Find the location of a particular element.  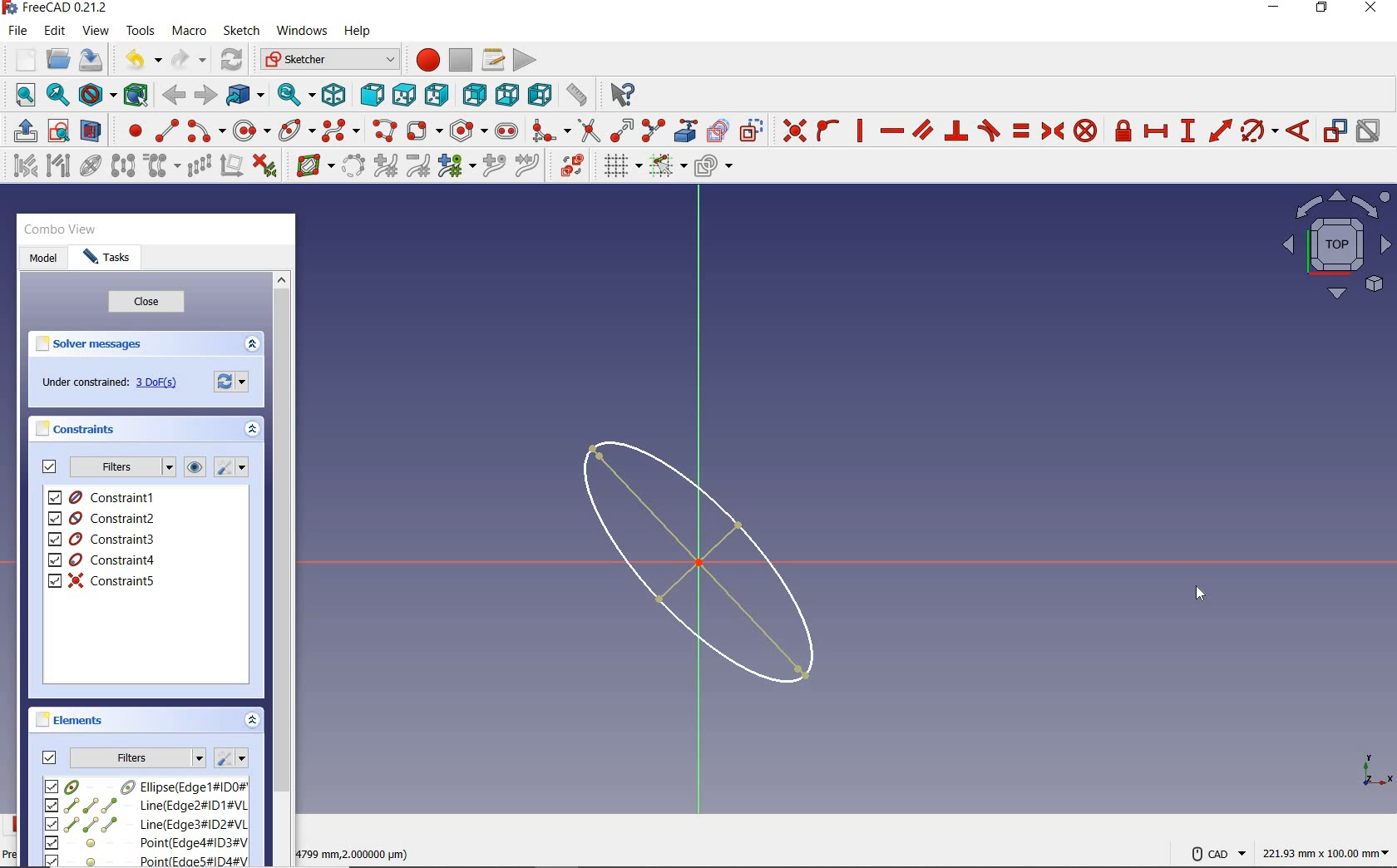

constrain block is located at coordinates (1084, 130).